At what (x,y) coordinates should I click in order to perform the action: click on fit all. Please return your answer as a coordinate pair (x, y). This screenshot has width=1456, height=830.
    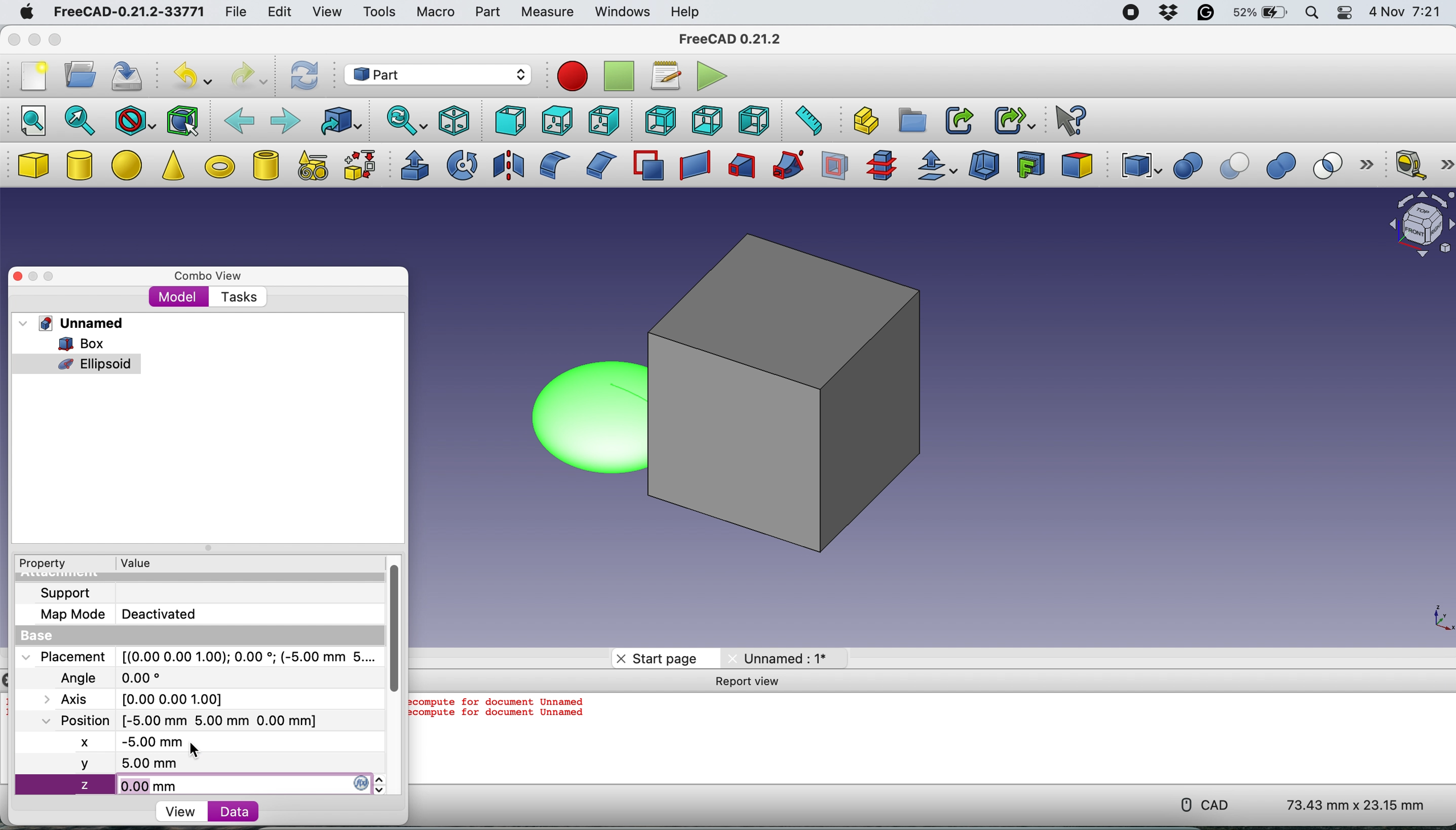
    Looking at the image, I should click on (28, 119).